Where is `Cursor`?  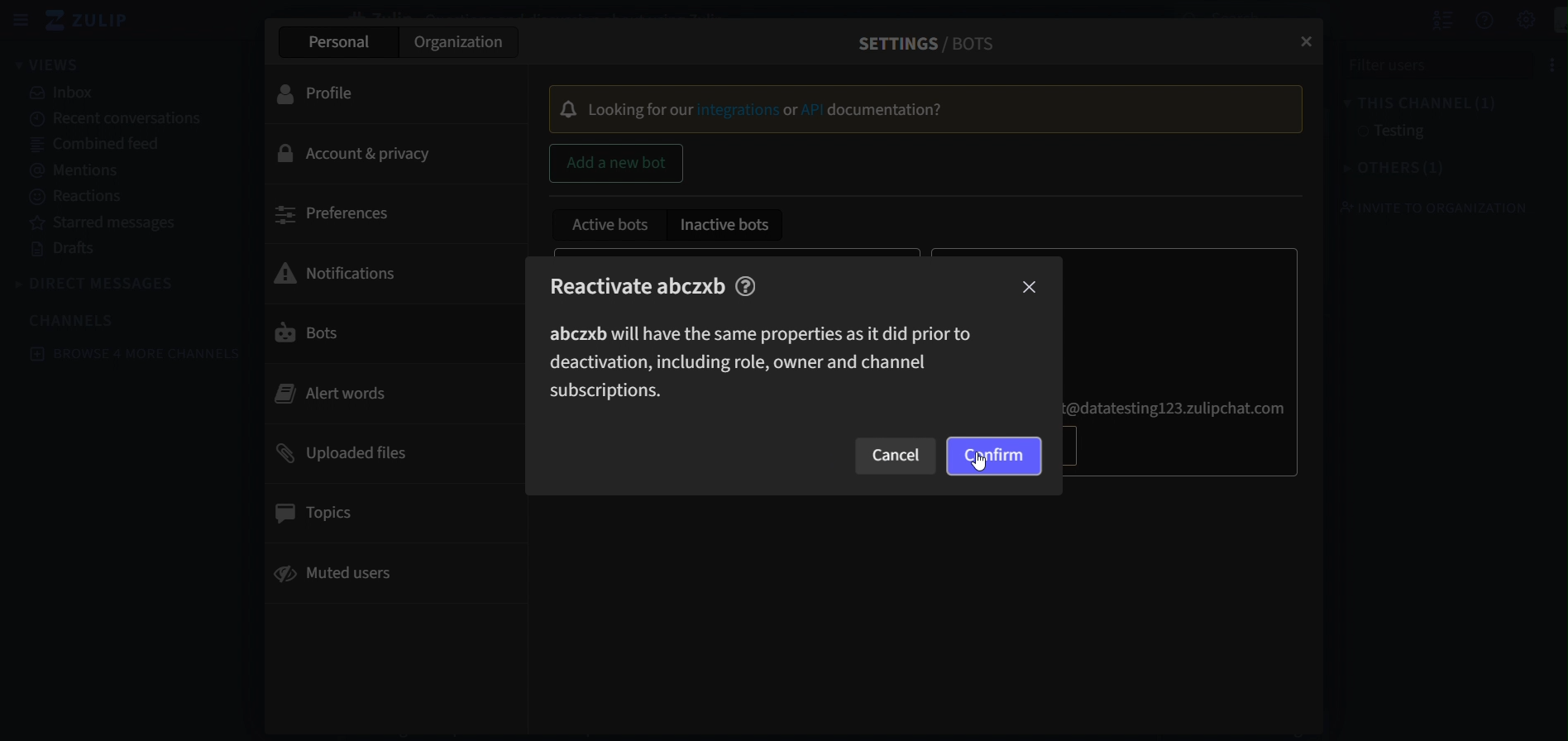
Cursor is located at coordinates (982, 464).